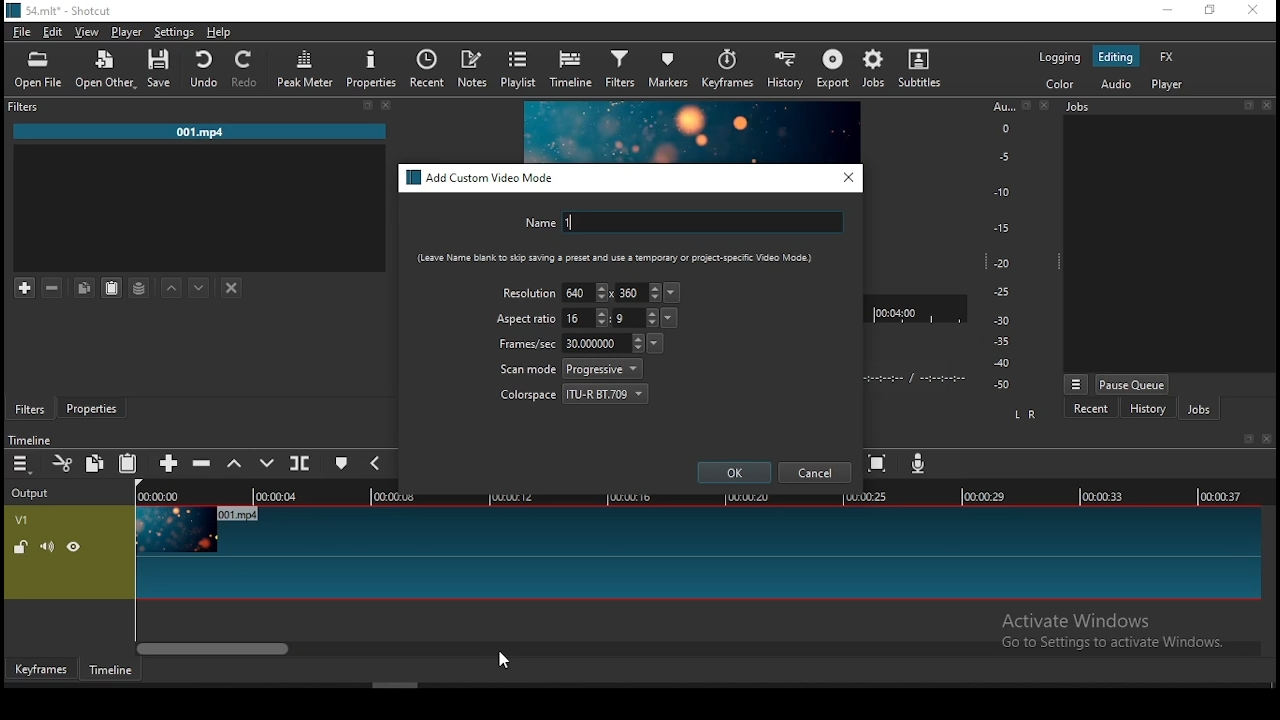  Describe the element at coordinates (170, 465) in the screenshot. I see `append` at that location.